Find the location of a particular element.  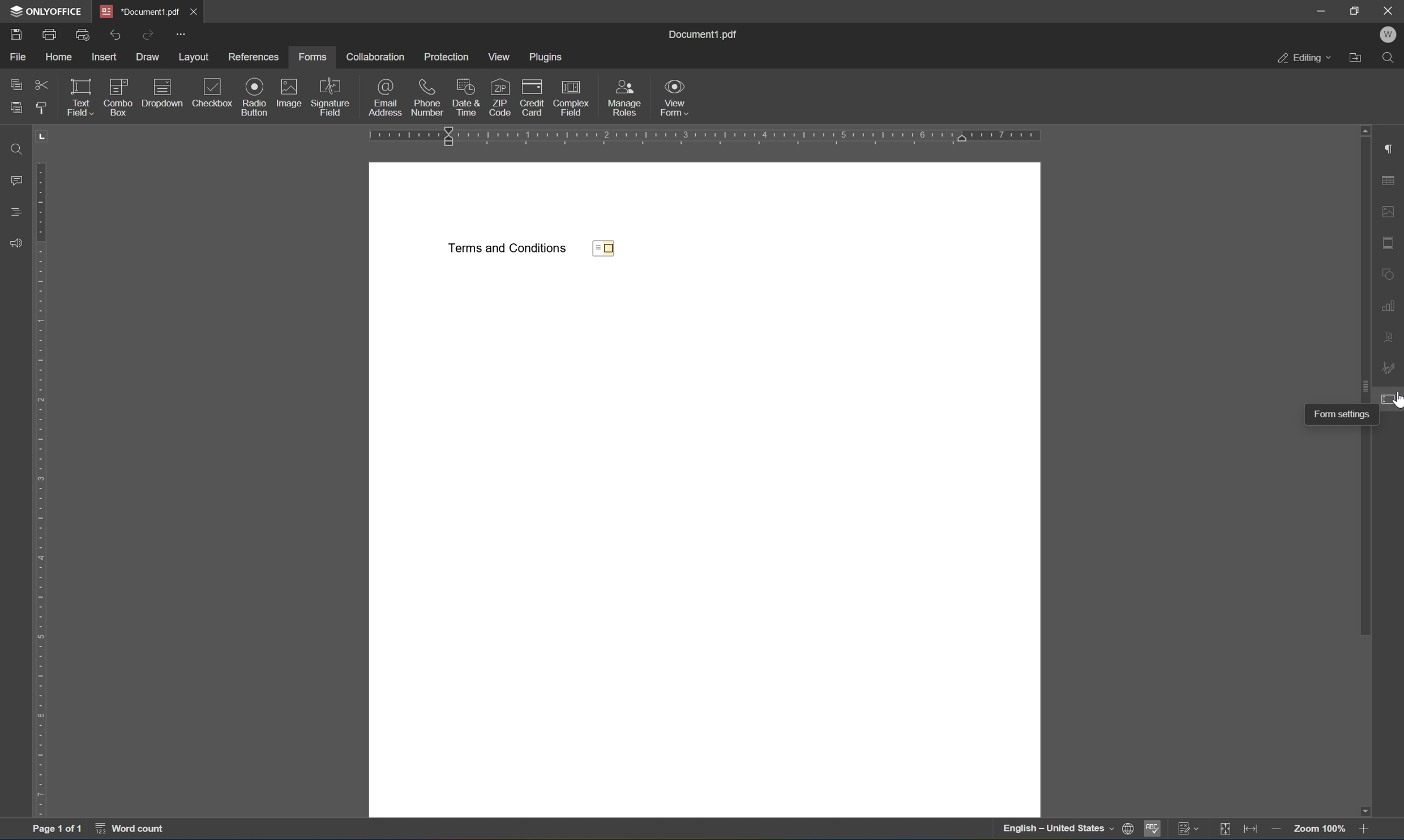

word count is located at coordinates (129, 831).